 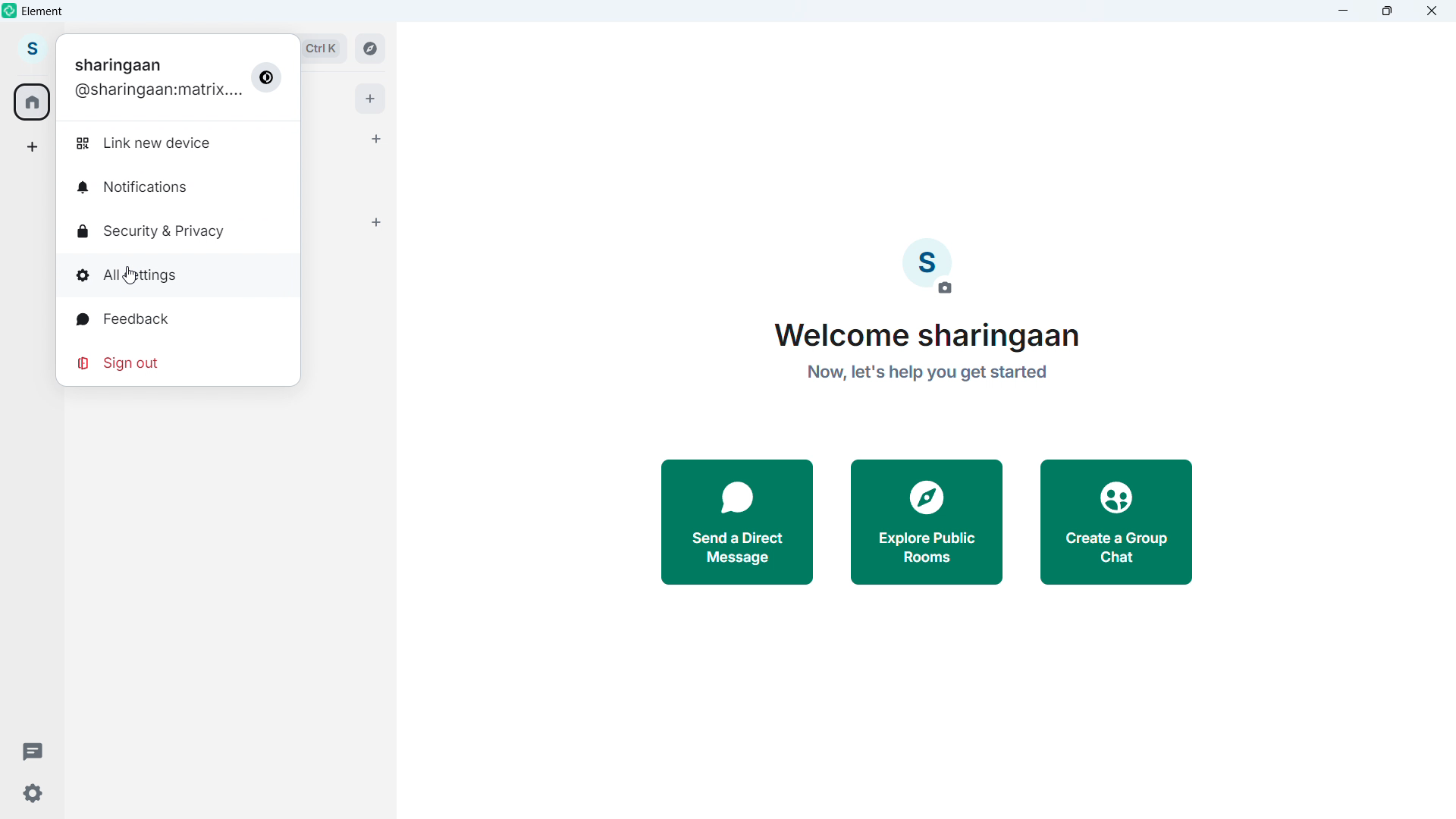 I want to click on Close , so click(x=1432, y=11).